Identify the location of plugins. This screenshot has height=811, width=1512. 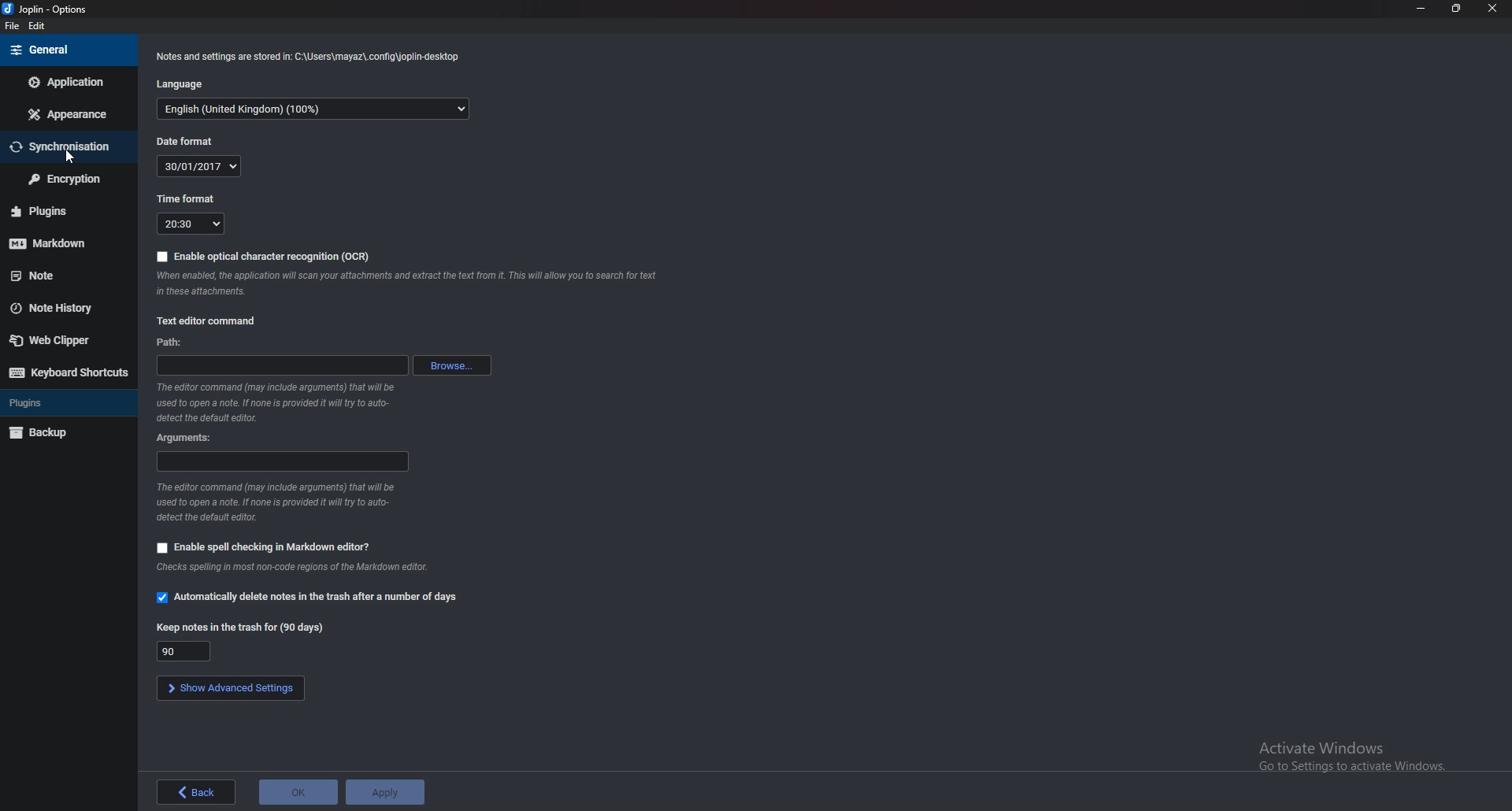
(59, 210).